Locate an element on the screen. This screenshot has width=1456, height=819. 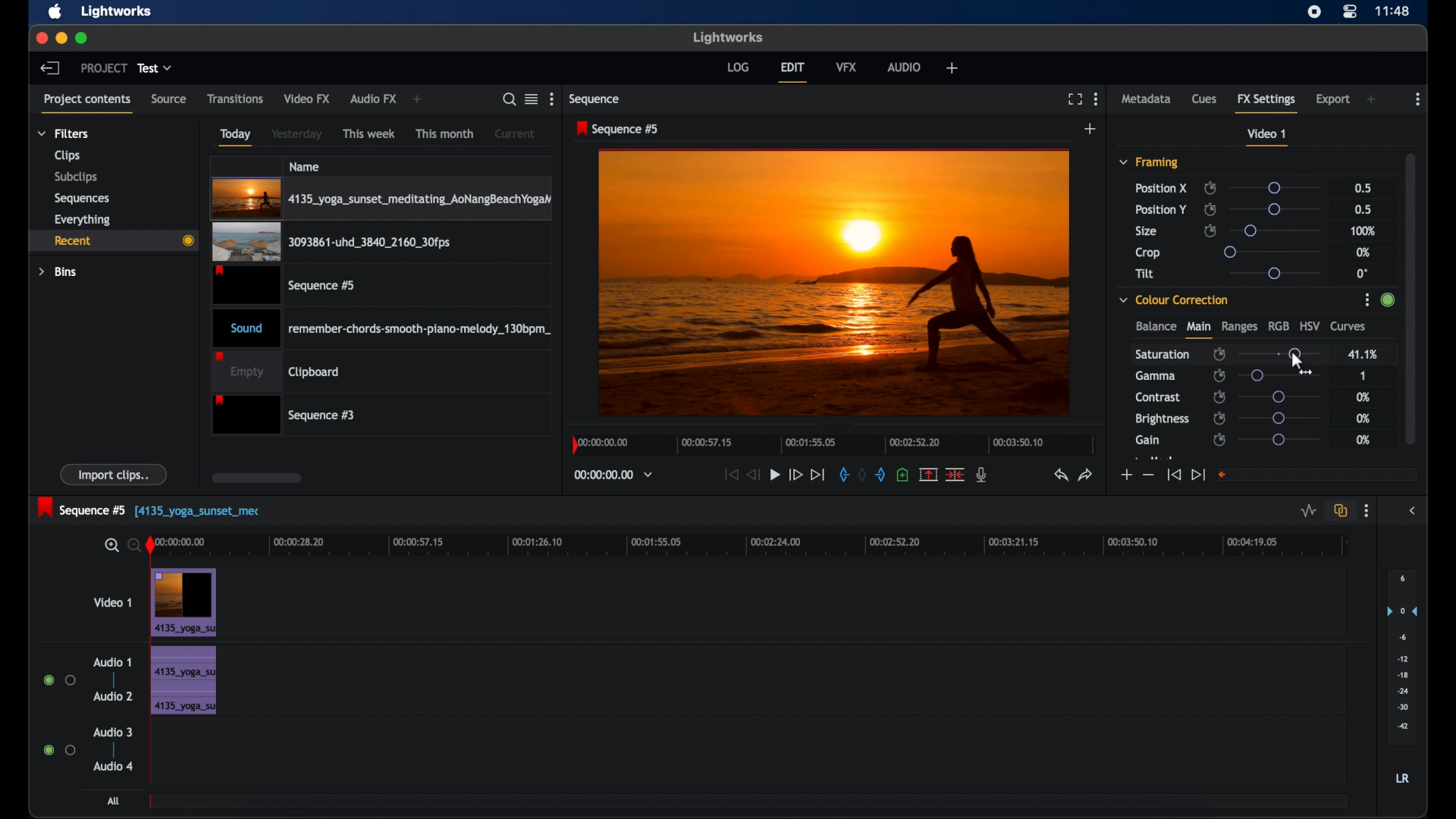
toggle auto track sync is located at coordinates (1338, 510).